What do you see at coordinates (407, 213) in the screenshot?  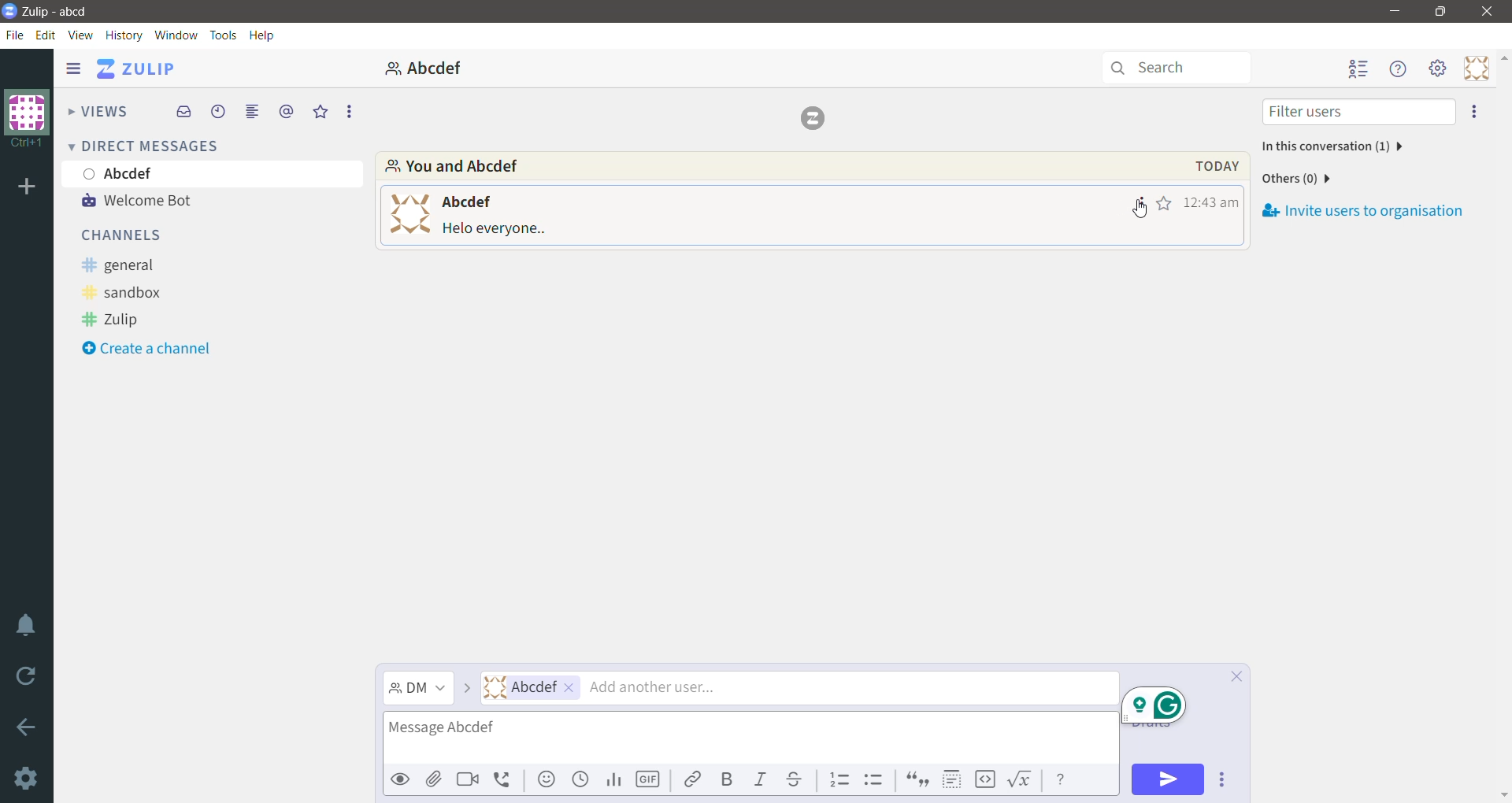 I see `user profile` at bounding box center [407, 213].